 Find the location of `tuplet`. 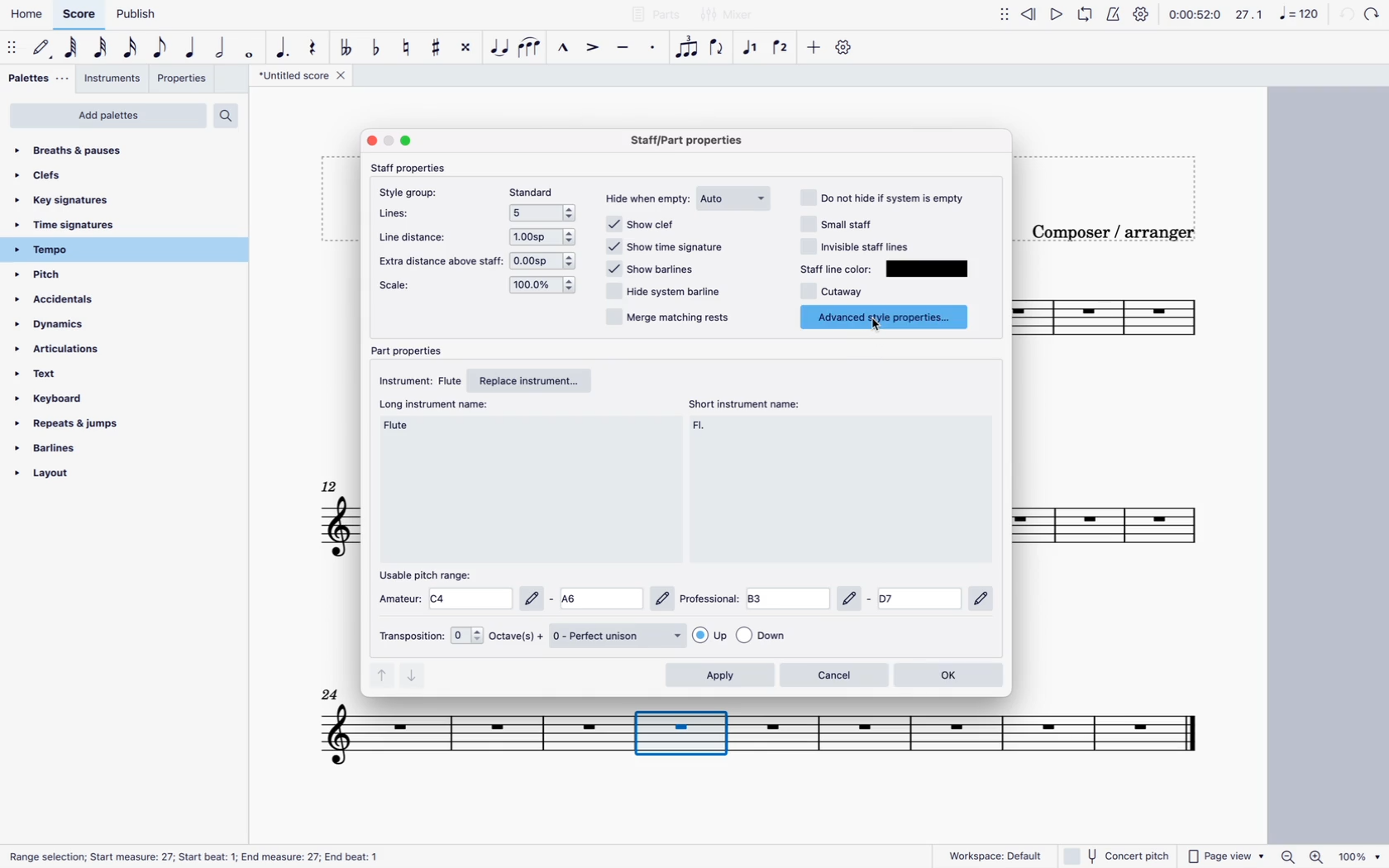

tuplet is located at coordinates (685, 48).